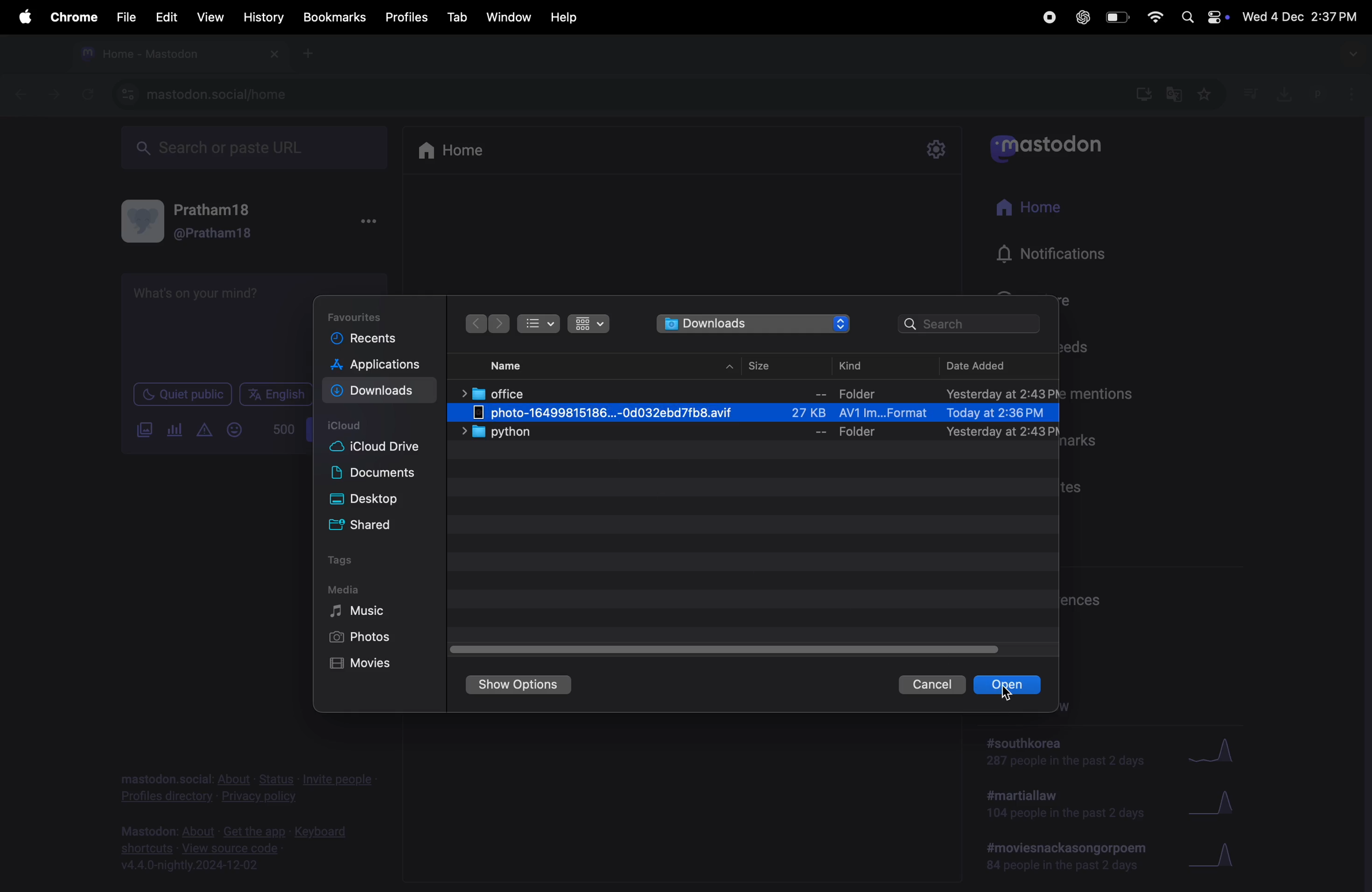 Image resolution: width=1372 pixels, height=892 pixels. I want to click on music, so click(1250, 93).